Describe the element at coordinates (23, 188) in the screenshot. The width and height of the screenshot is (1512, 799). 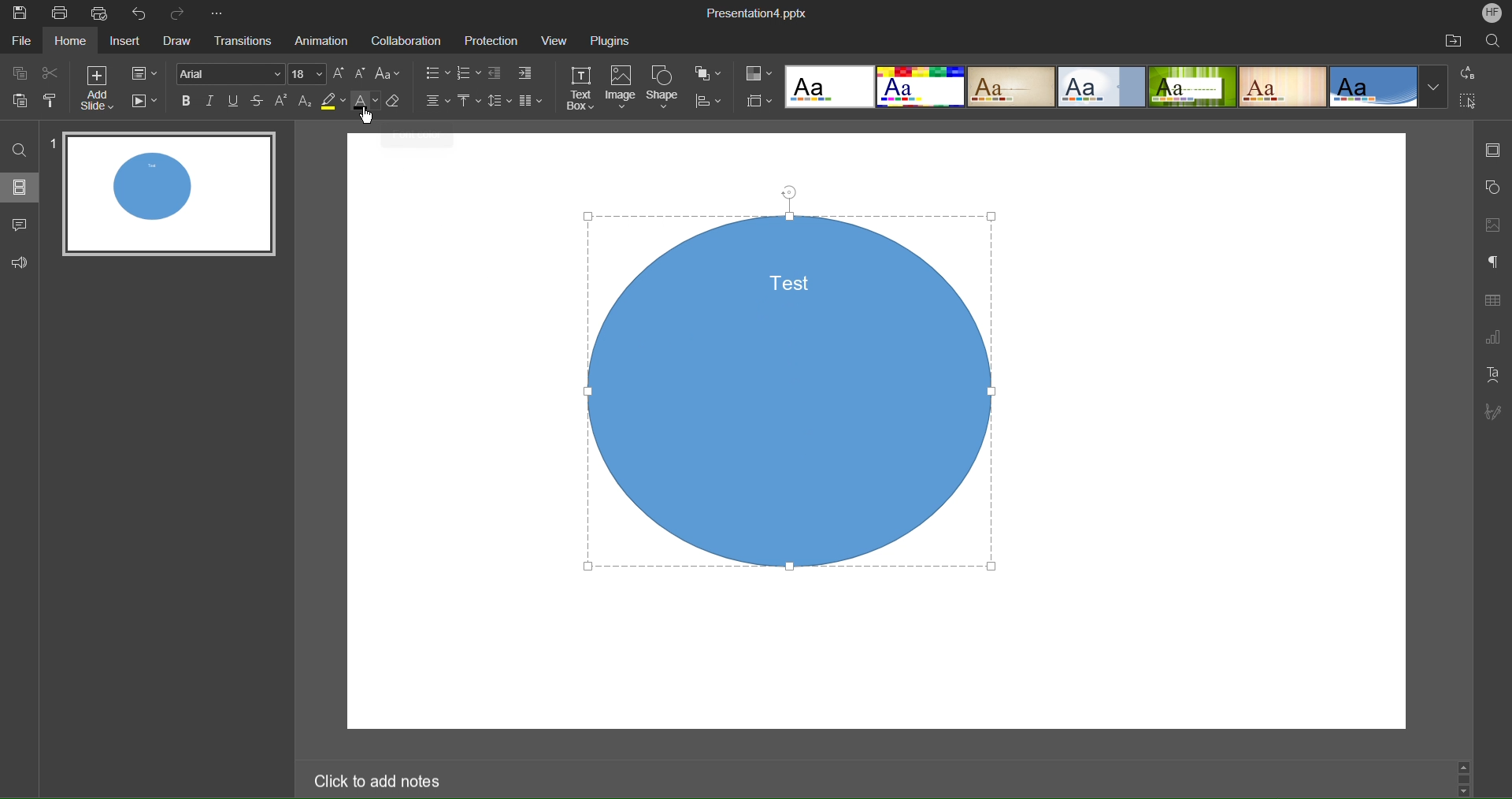
I see `Slides` at that location.